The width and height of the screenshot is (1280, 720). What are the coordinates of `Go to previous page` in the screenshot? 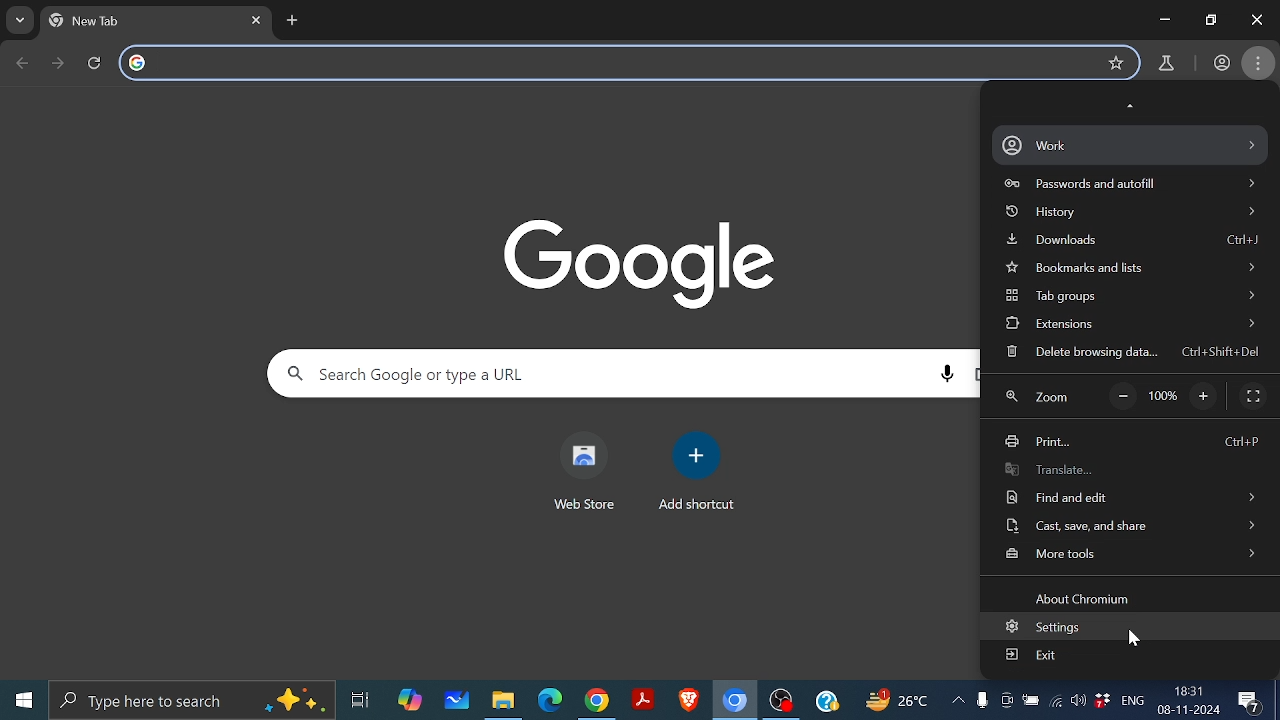 It's located at (24, 63).